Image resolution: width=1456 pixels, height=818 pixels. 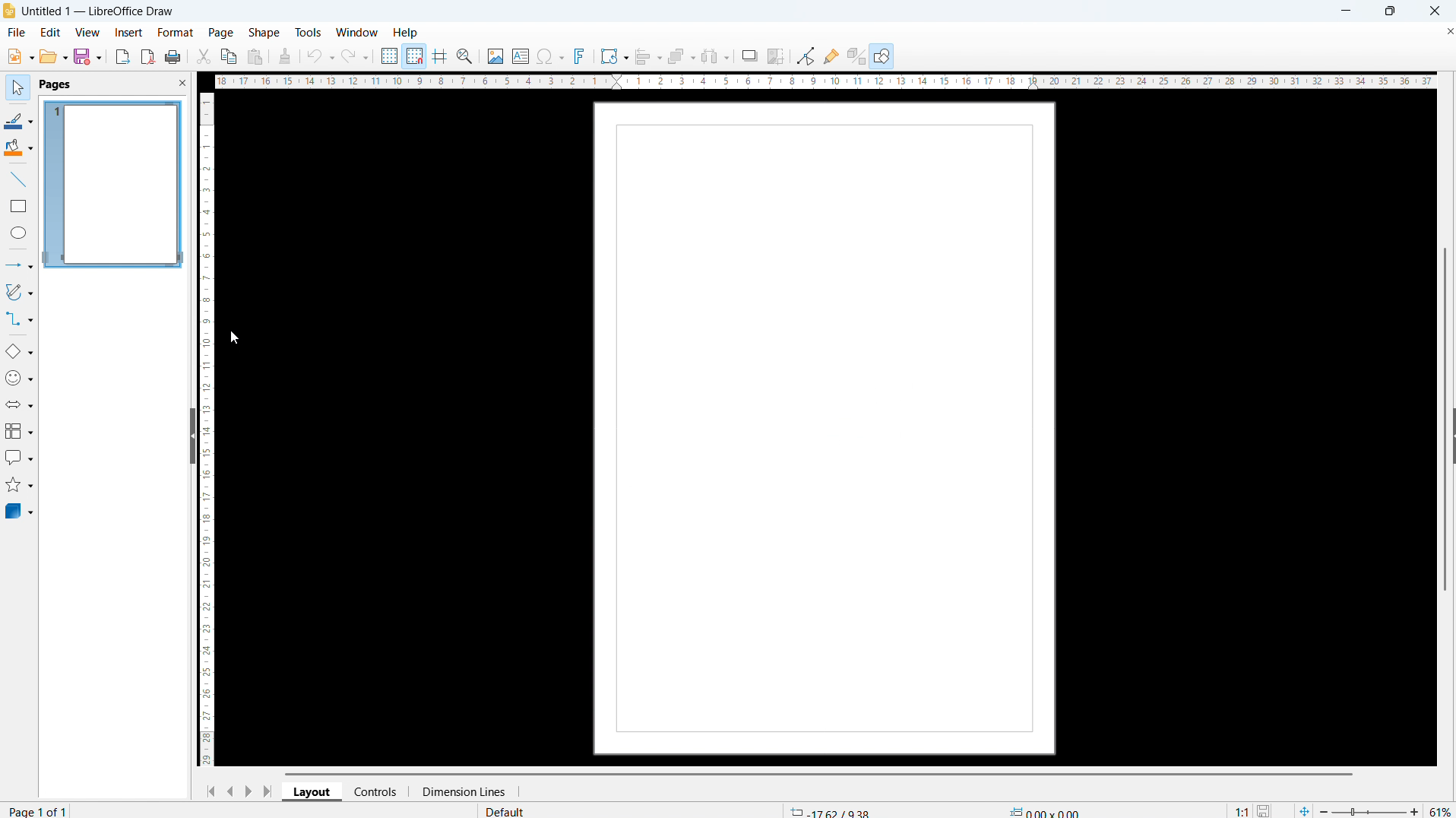 I want to click on help, so click(x=406, y=33).